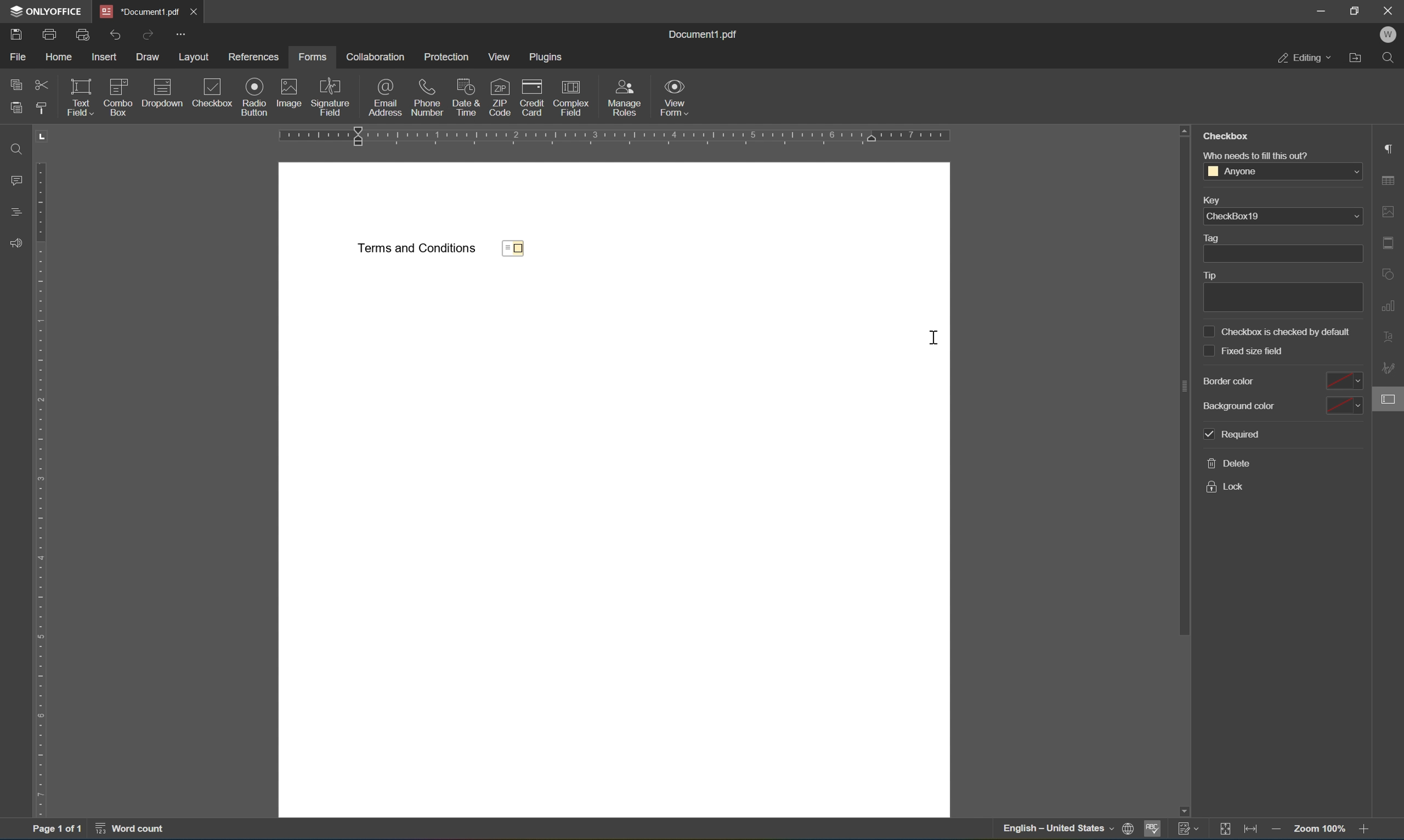  Describe the element at coordinates (1359, 10) in the screenshot. I see `restore down` at that location.